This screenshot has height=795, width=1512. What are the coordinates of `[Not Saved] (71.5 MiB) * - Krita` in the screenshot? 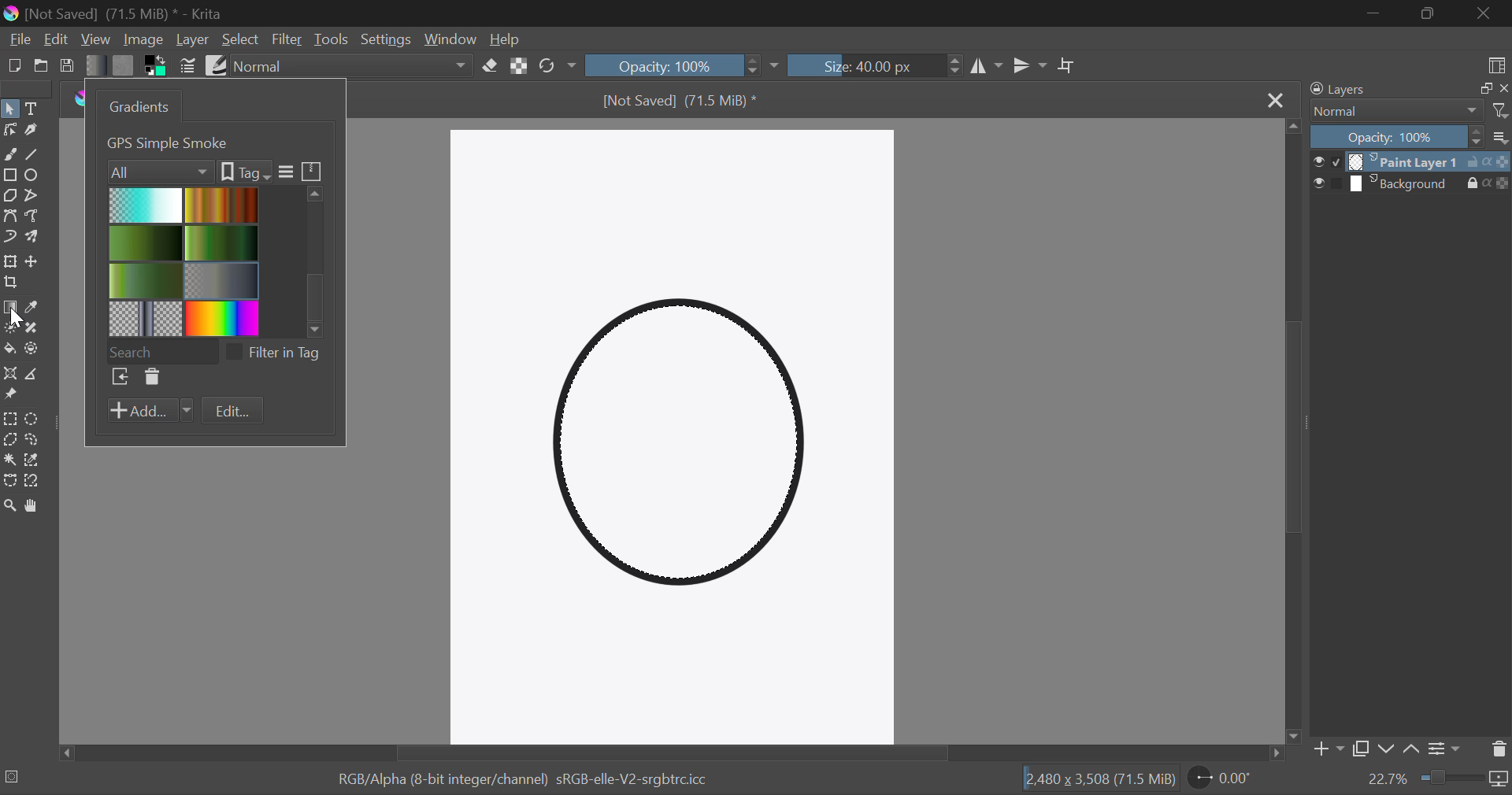 It's located at (124, 15).